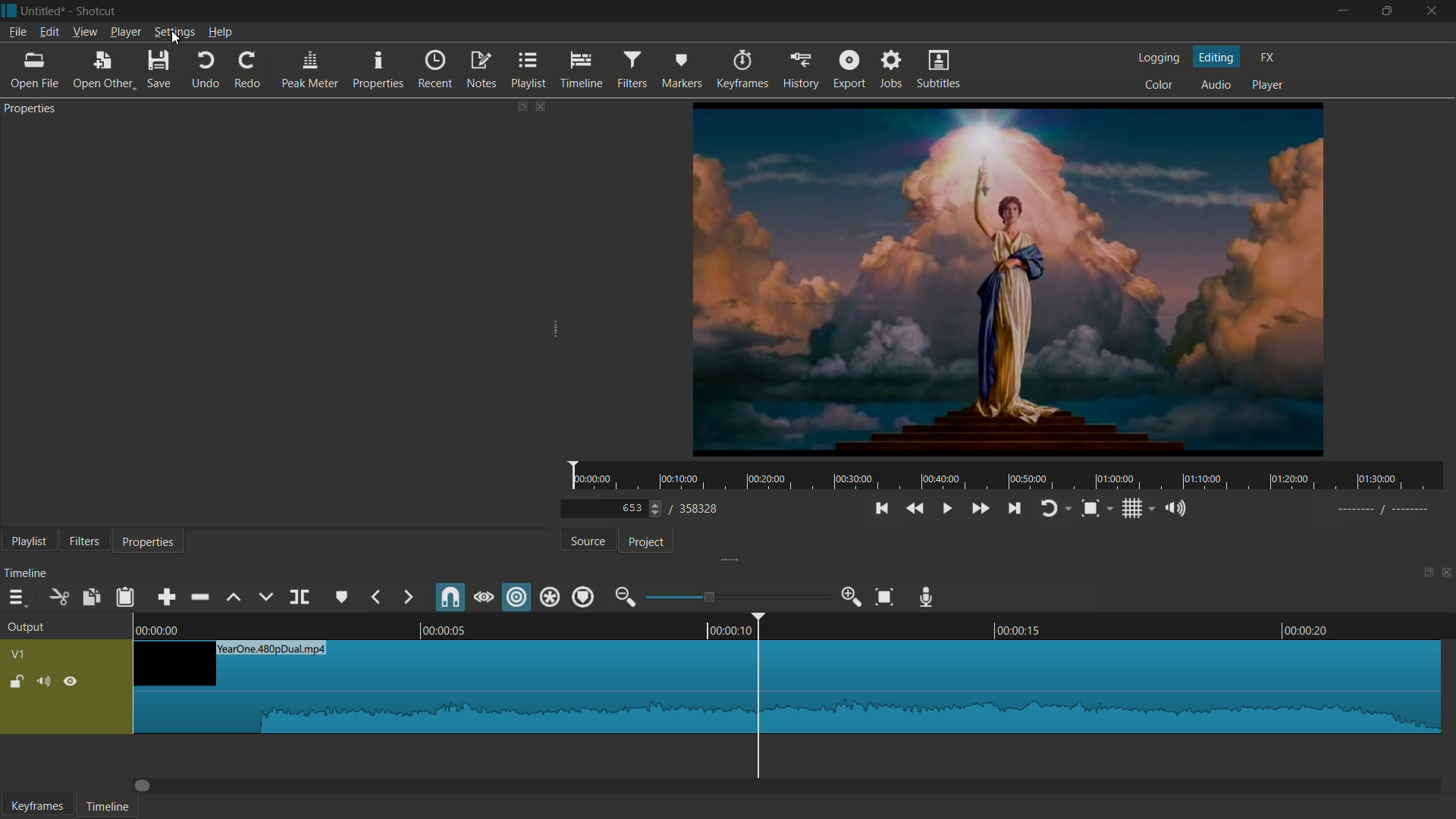 The height and width of the screenshot is (819, 1456). What do you see at coordinates (629, 508) in the screenshot?
I see `current frame` at bounding box center [629, 508].